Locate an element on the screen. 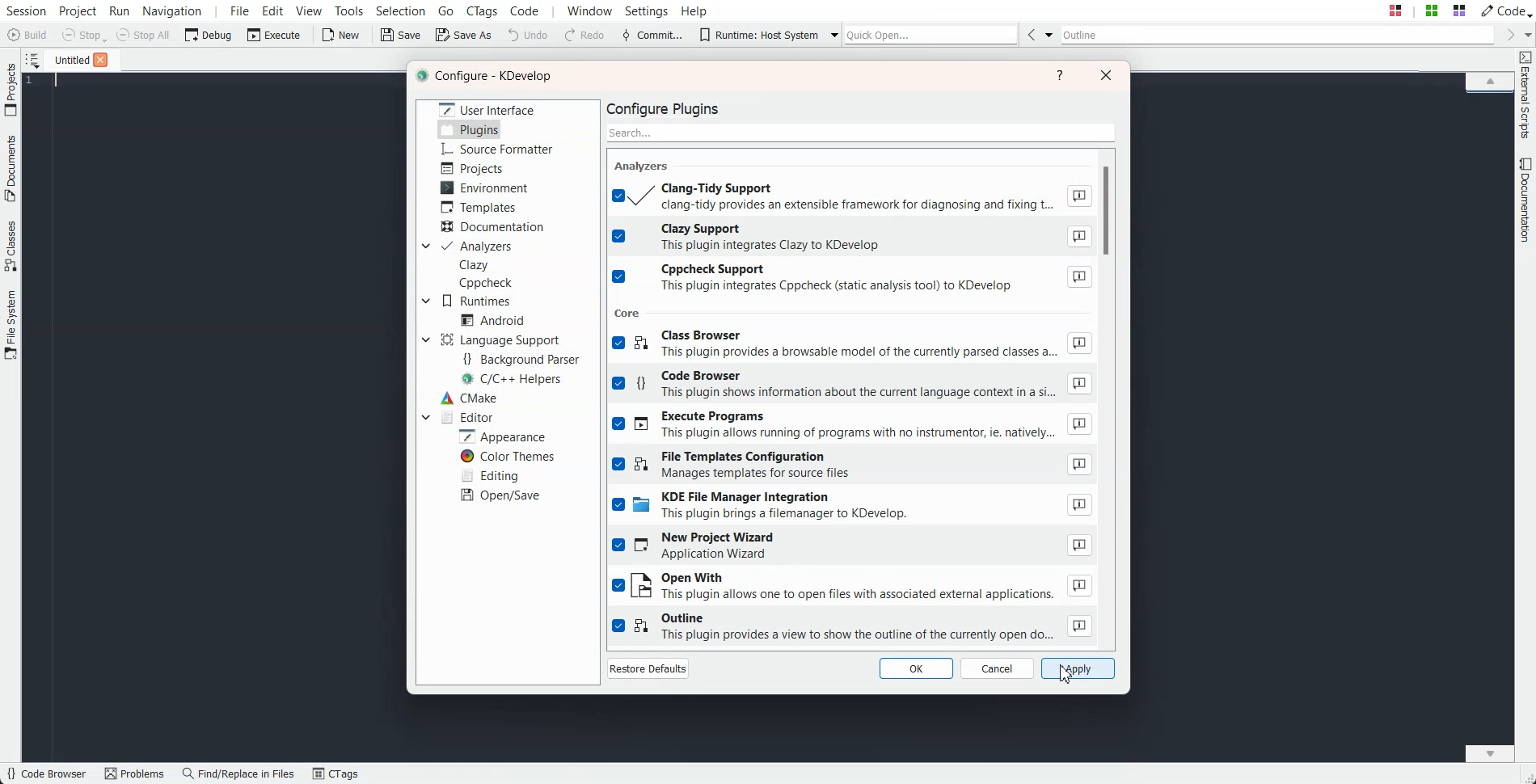  About is located at coordinates (1079, 344).